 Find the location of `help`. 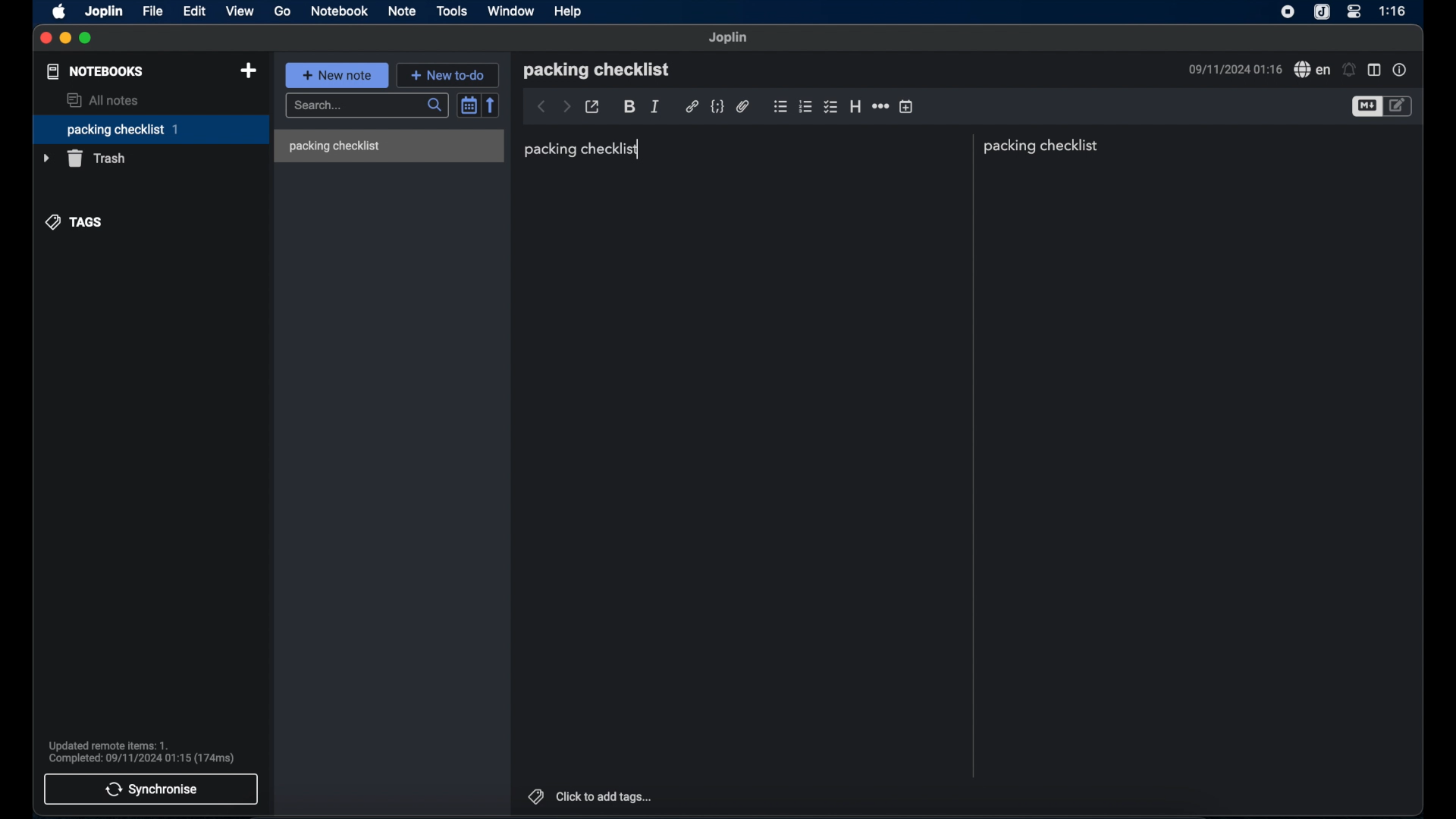

help is located at coordinates (569, 11).